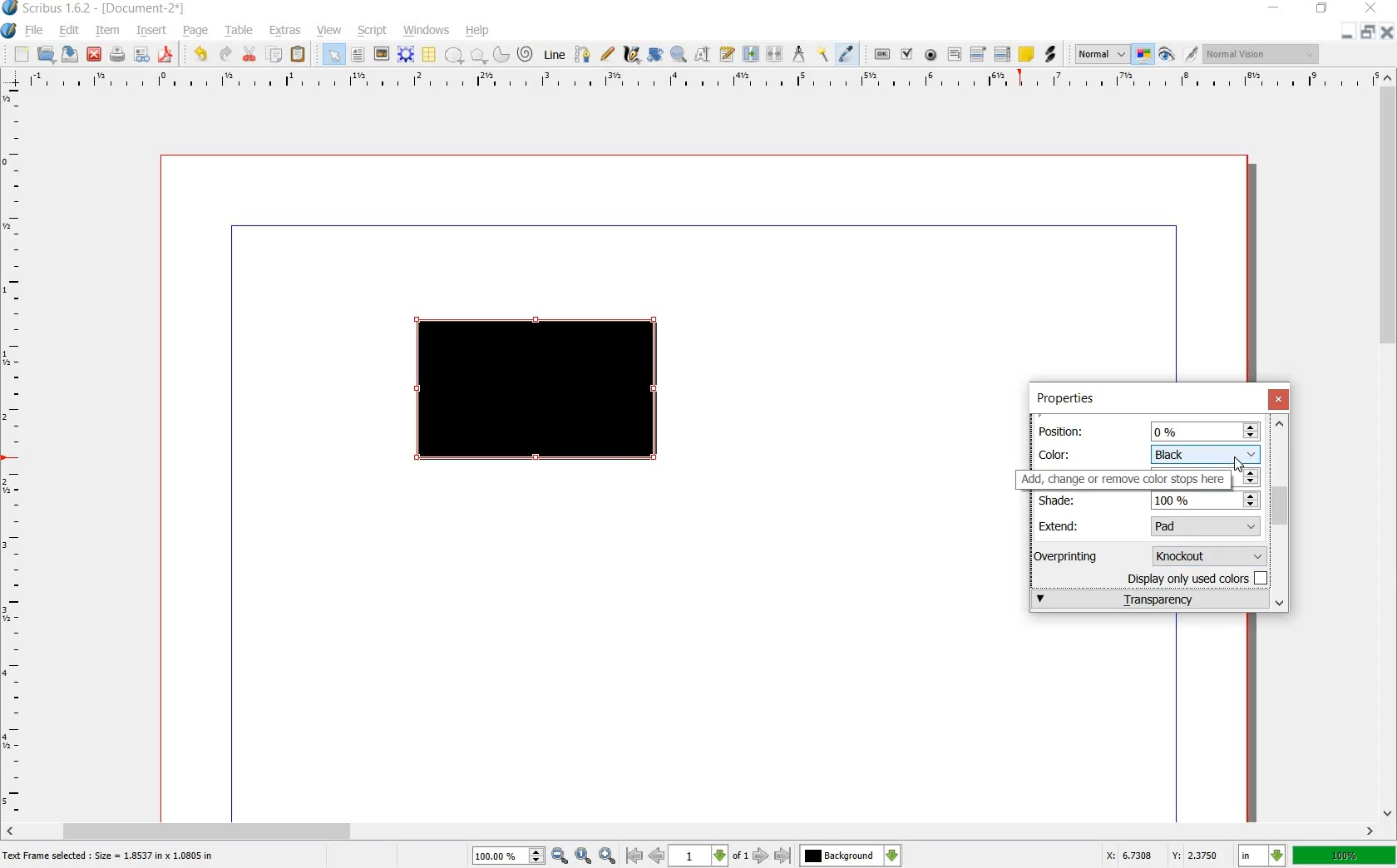 The image size is (1397, 868). I want to click on file, so click(37, 31).